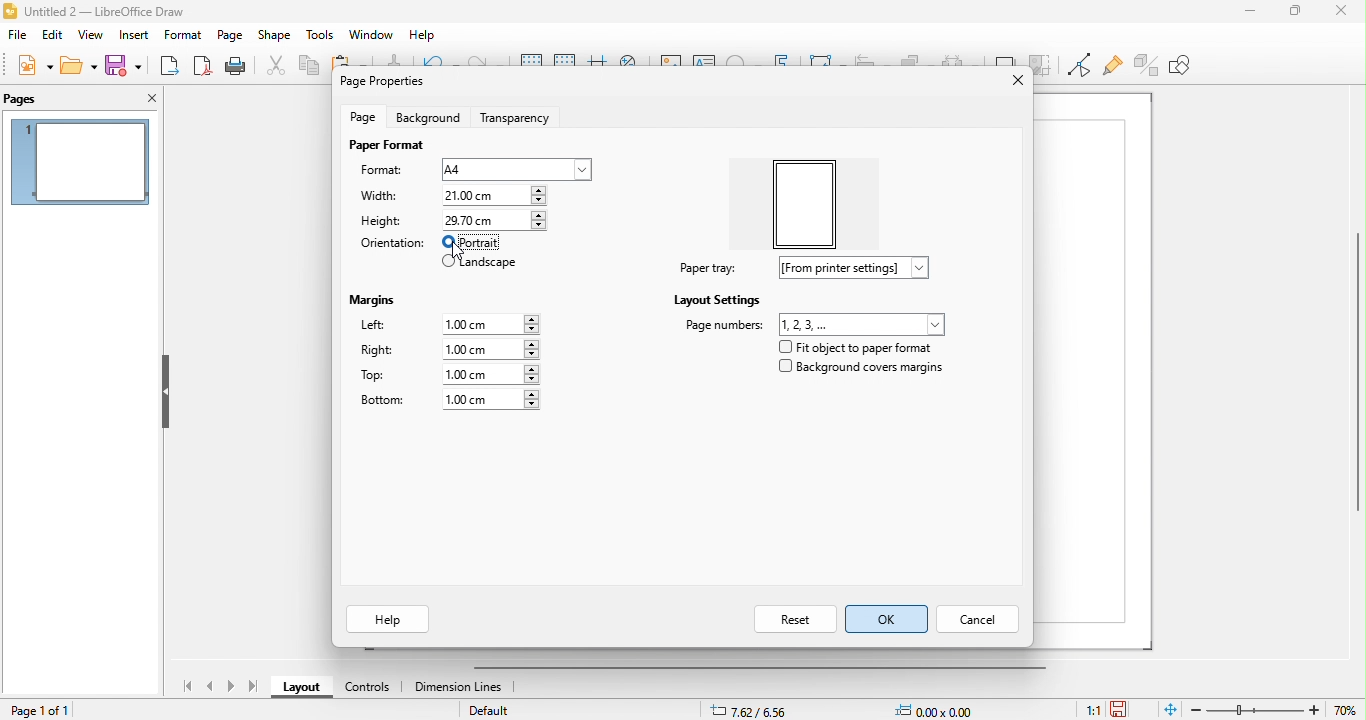  I want to click on right, so click(448, 350).